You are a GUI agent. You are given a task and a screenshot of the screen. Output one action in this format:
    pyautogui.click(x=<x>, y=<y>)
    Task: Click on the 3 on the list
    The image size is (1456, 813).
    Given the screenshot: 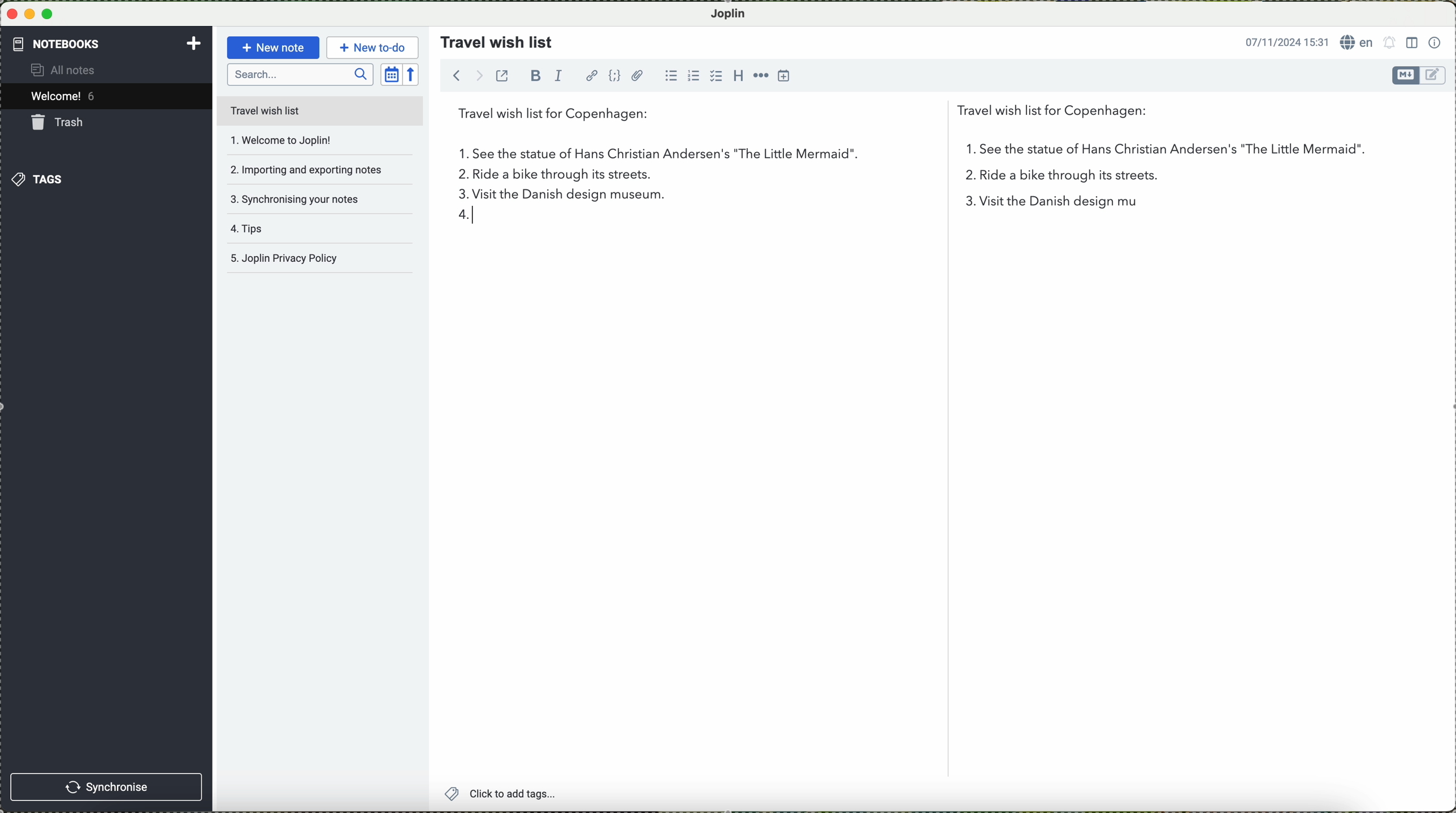 What is the action you would take?
    pyautogui.click(x=455, y=197)
    